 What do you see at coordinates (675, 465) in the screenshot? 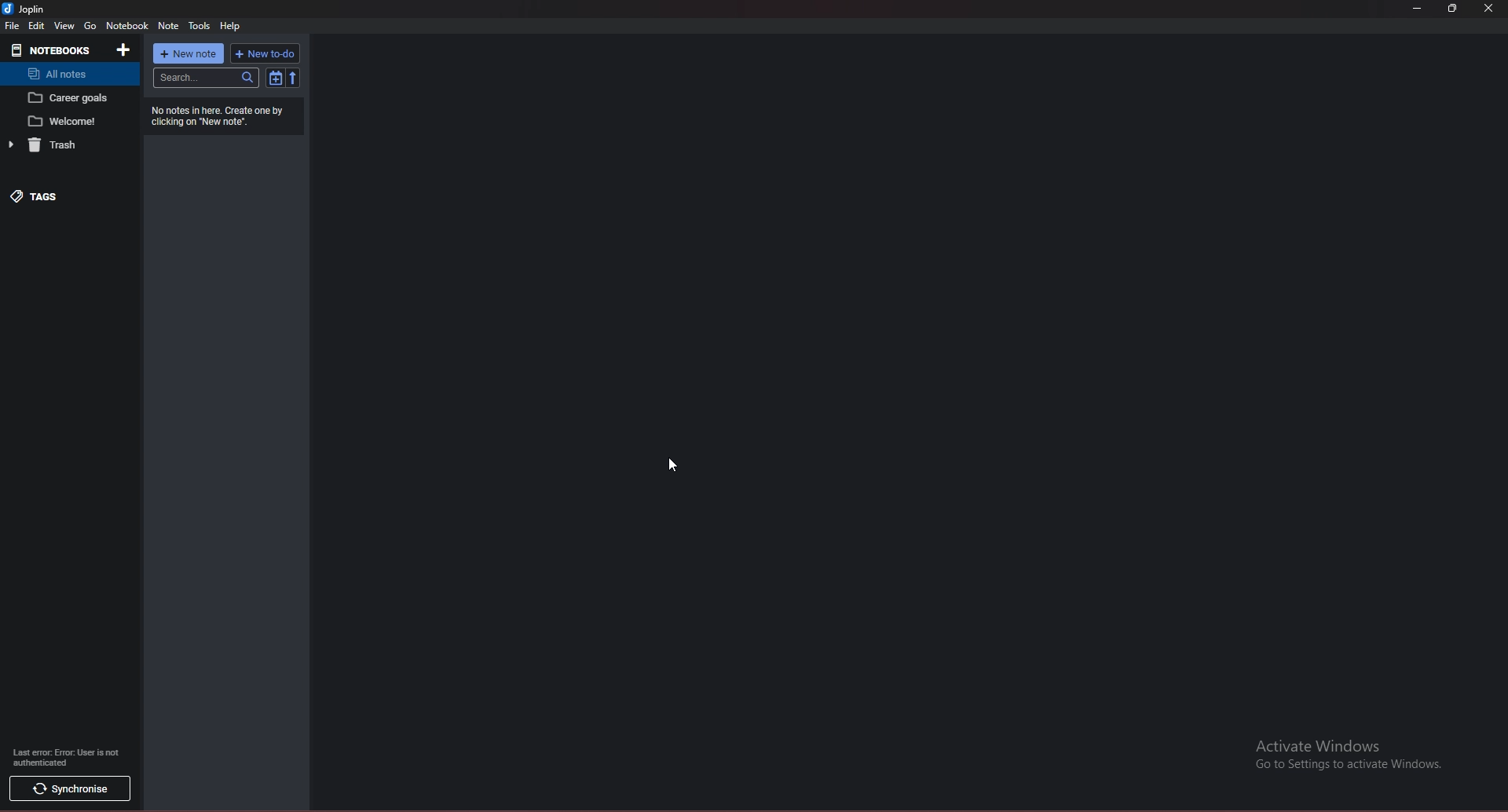
I see `cursor` at bounding box center [675, 465].